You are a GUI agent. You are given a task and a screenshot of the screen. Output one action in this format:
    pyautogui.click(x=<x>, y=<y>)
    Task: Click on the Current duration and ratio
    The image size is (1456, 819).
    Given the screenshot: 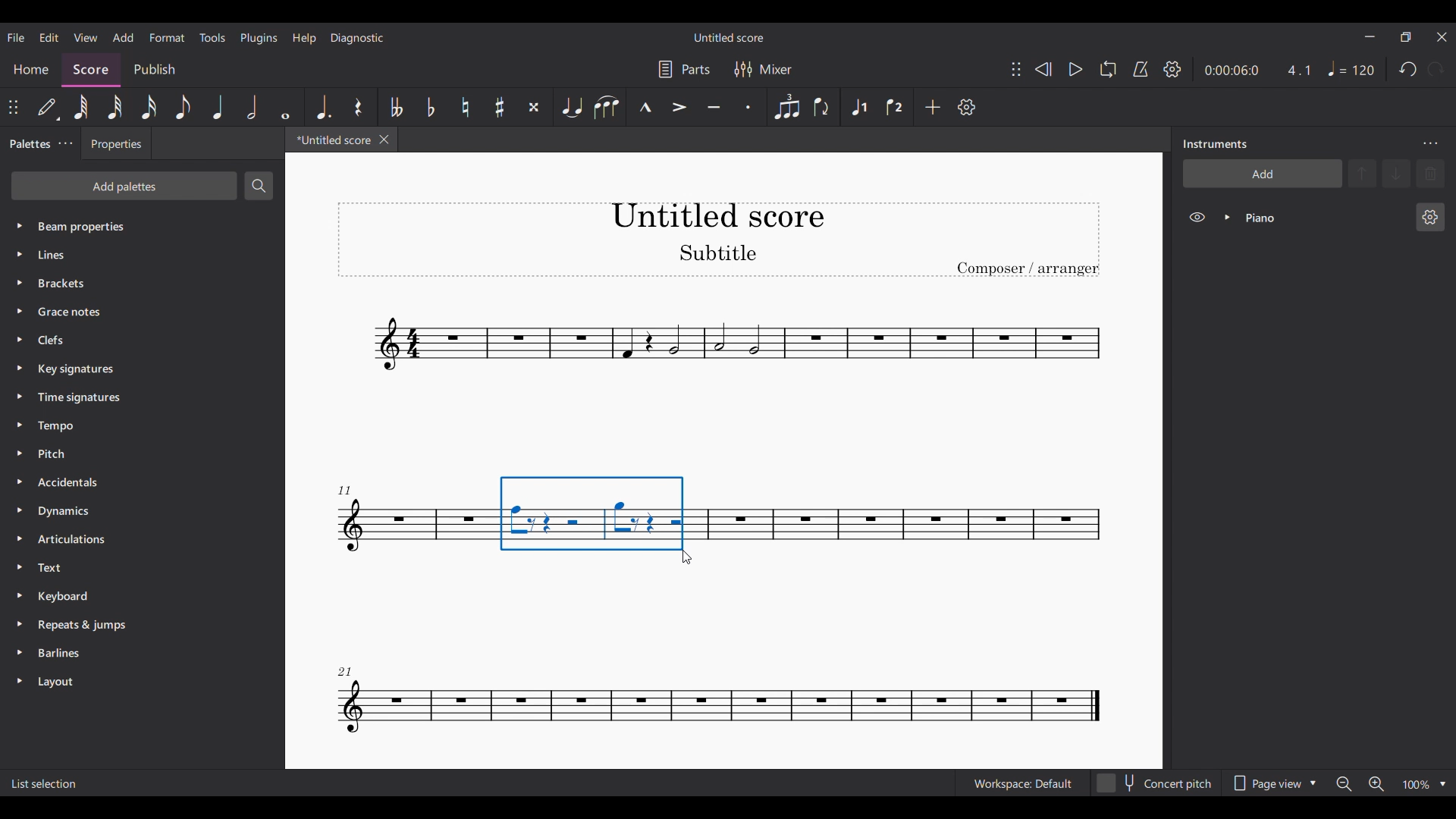 What is the action you would take?
    pyautogui.click(x=1257, y=71)
    